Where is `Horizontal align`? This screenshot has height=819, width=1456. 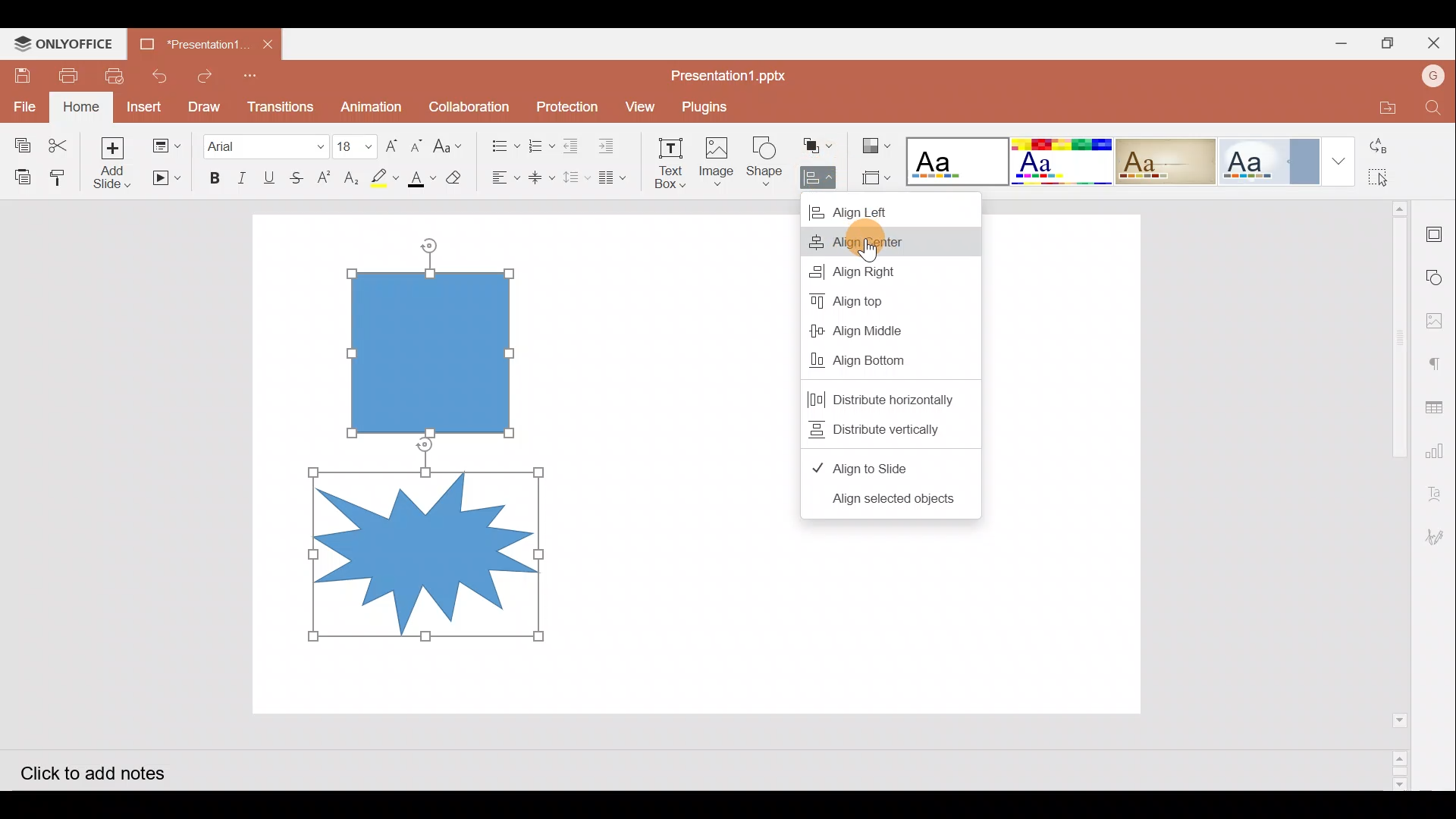 Horizontal align is located at coordinates (501, 177).